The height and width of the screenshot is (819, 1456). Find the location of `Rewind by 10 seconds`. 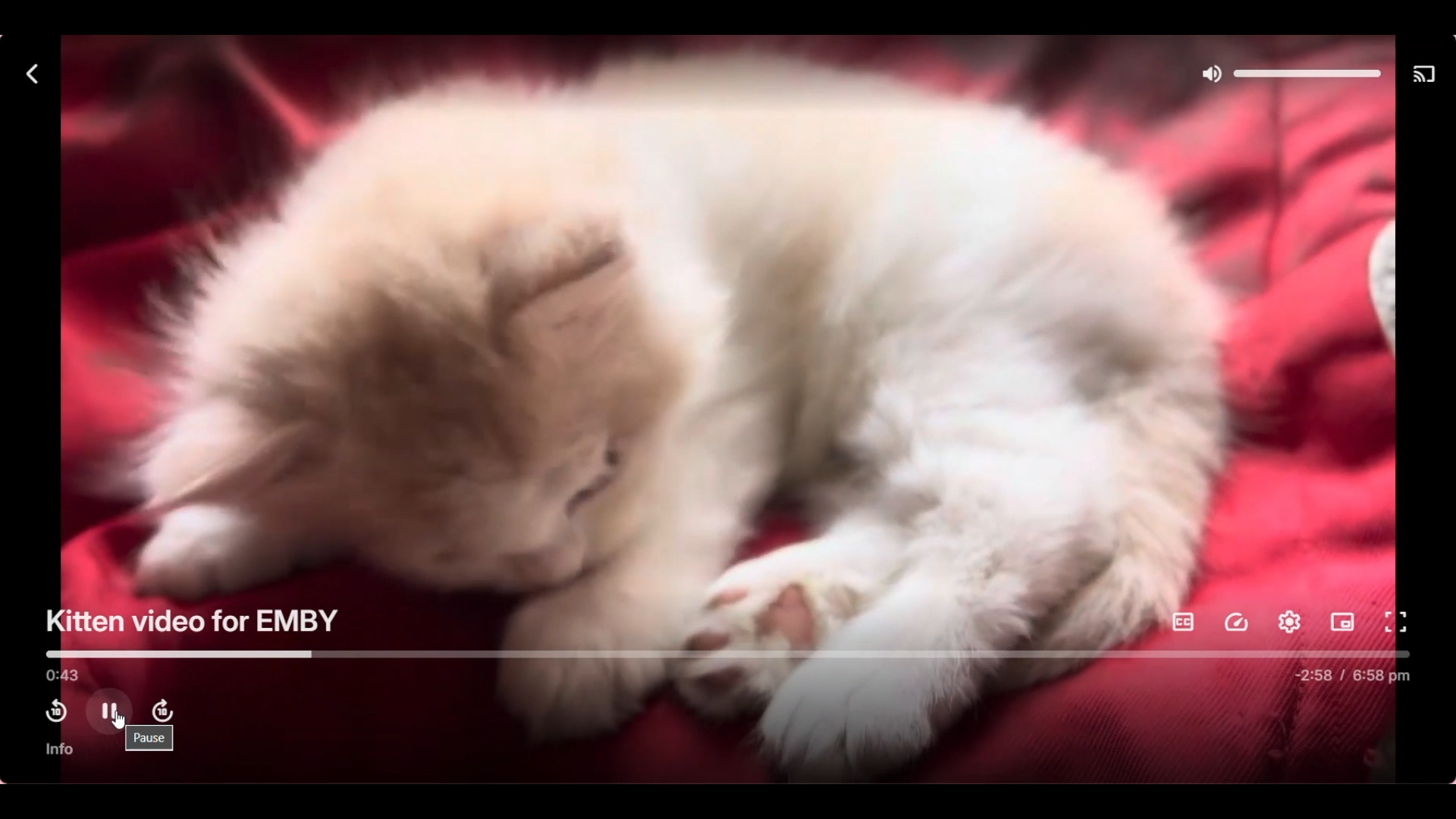

Rewind by 10 seconds is located at coordinates (55, 711).